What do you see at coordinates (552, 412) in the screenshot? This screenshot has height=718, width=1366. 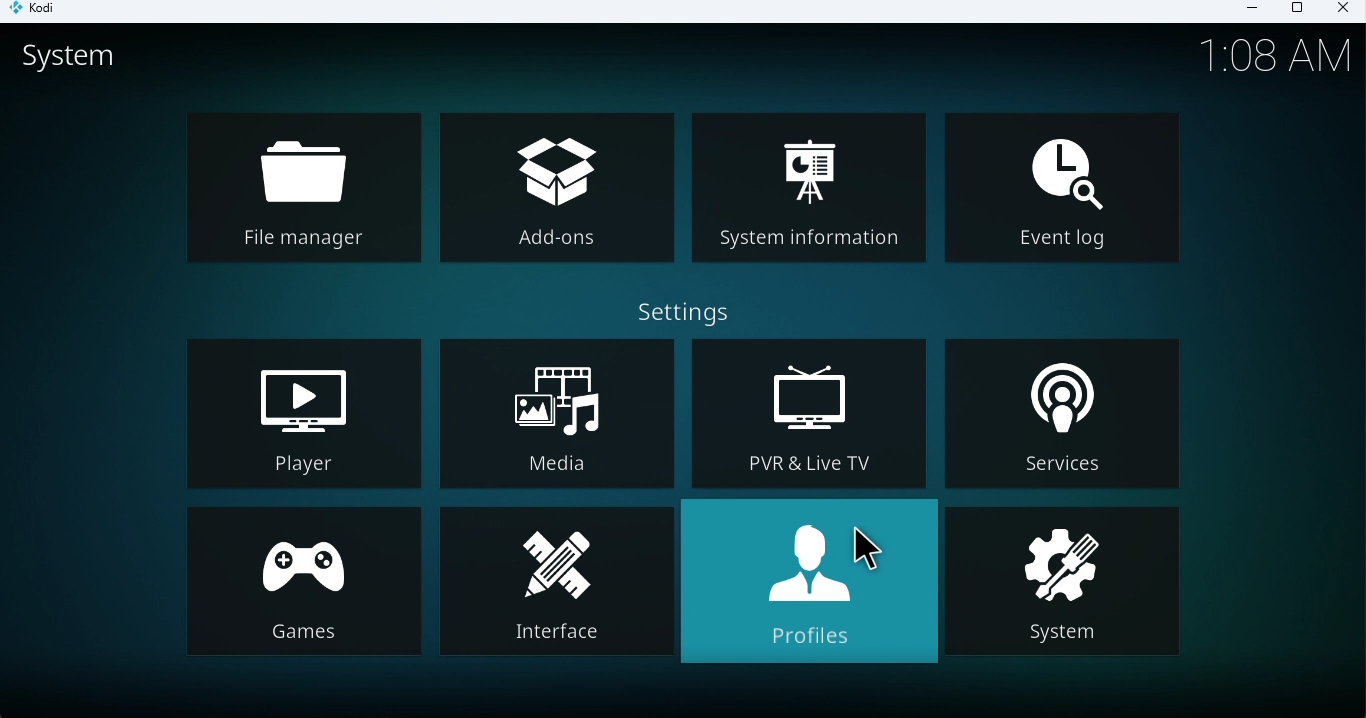 I see `Media` at bounding box center [552, 412].